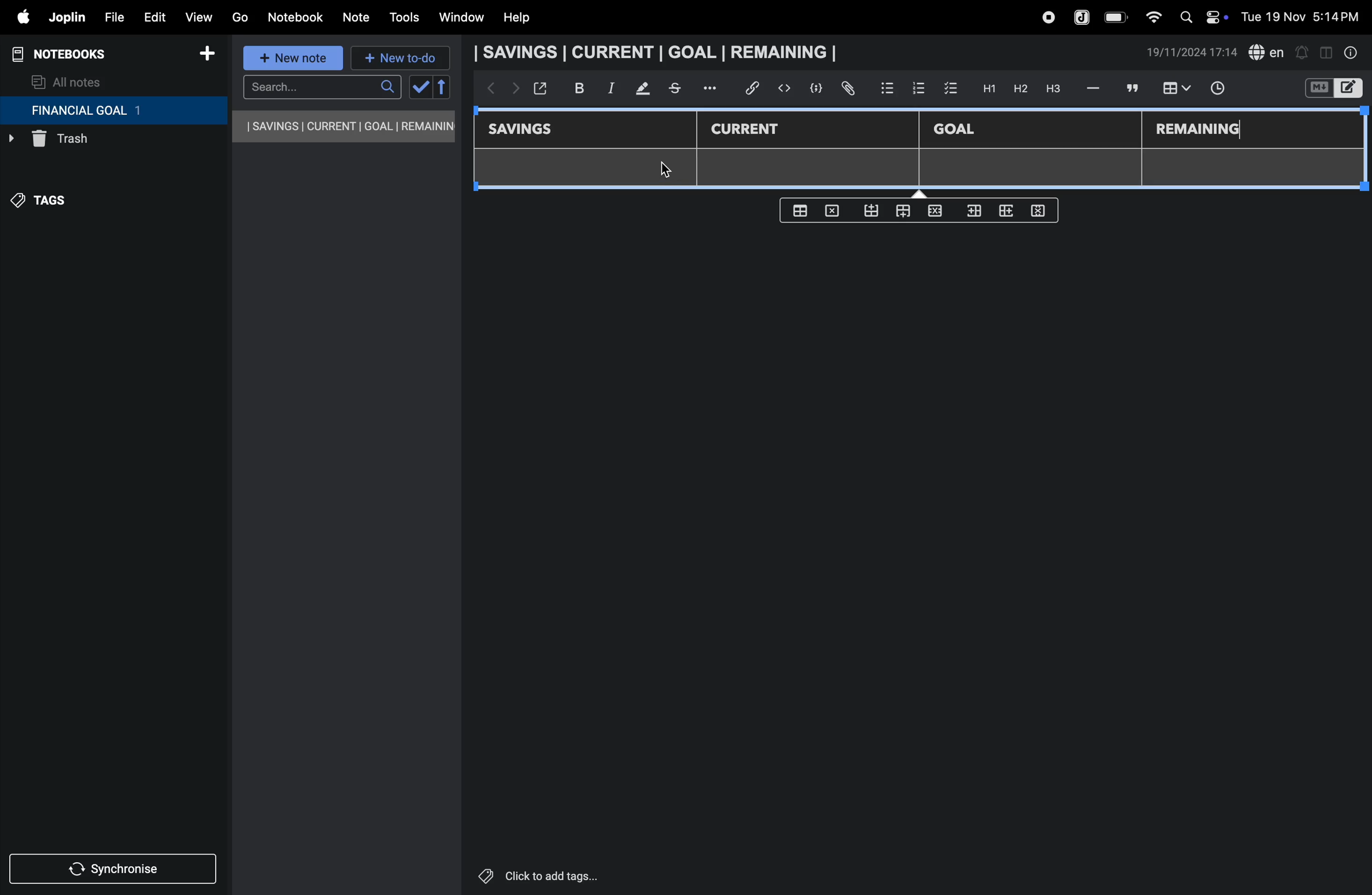  Describe the element at coordinates (800, 210) in the screenshot. I see `create table` at that location.